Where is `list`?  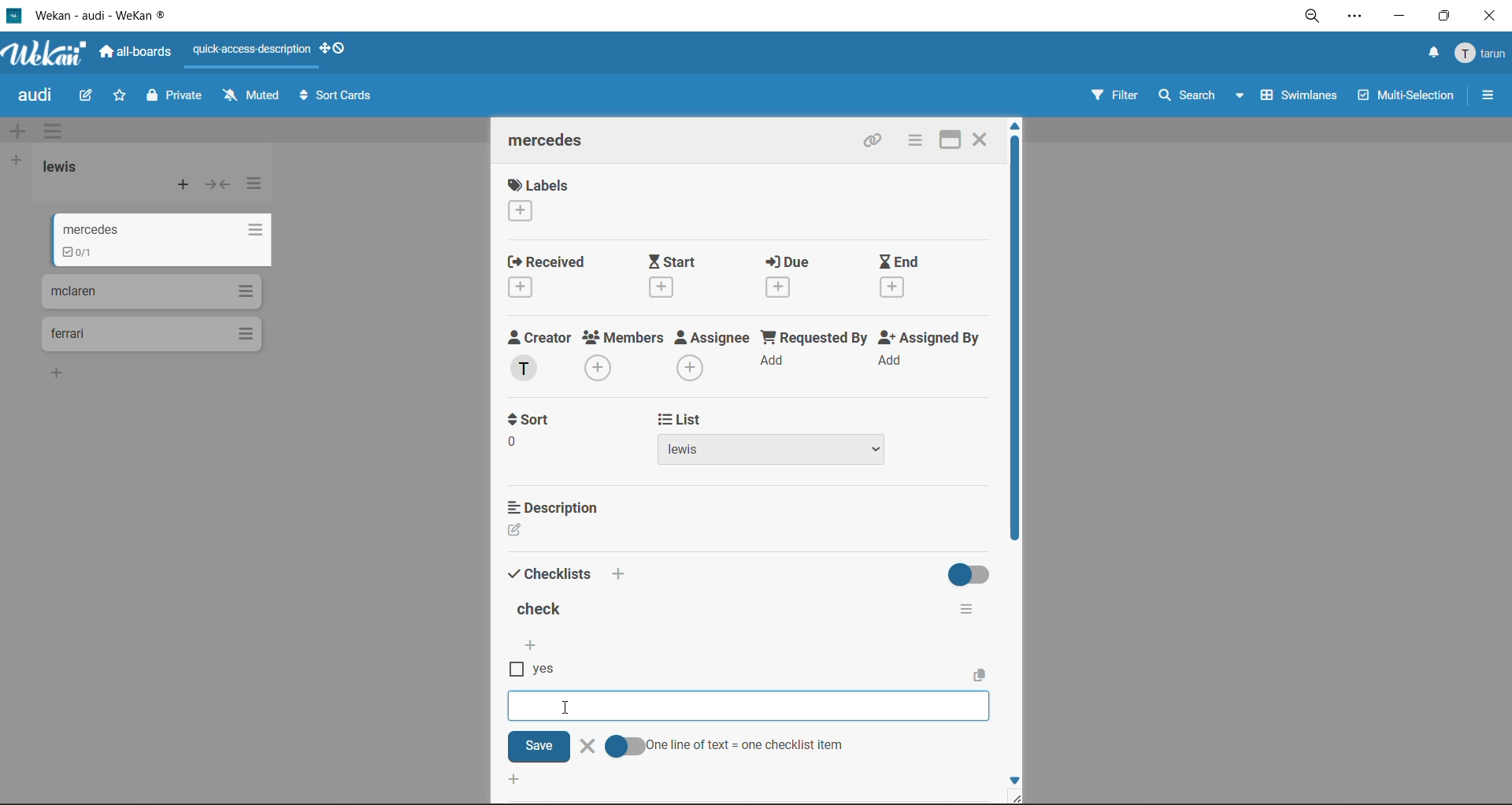
list is located at coordinates (796, 453).